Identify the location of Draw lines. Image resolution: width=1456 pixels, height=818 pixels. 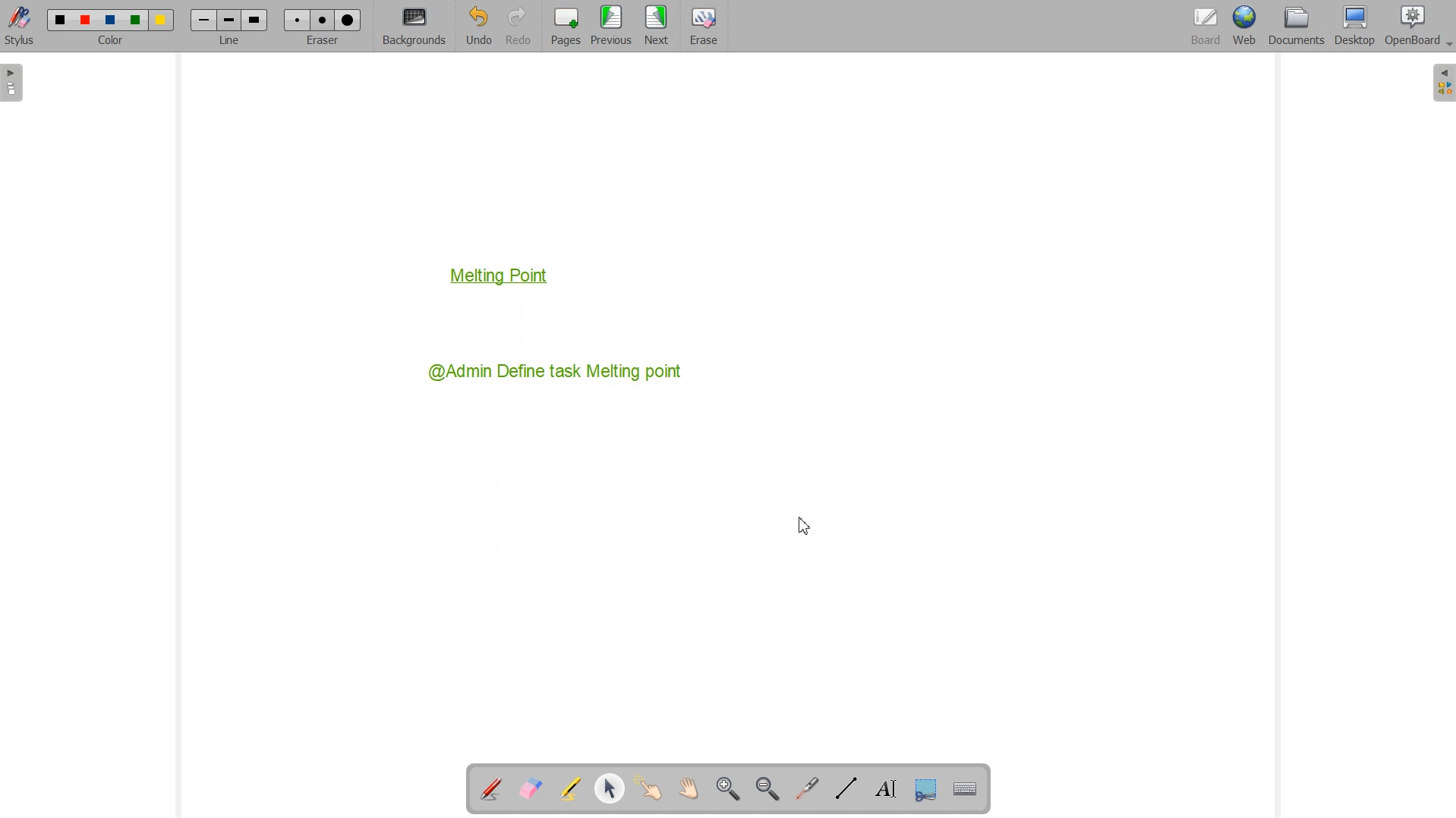
(846, 788).